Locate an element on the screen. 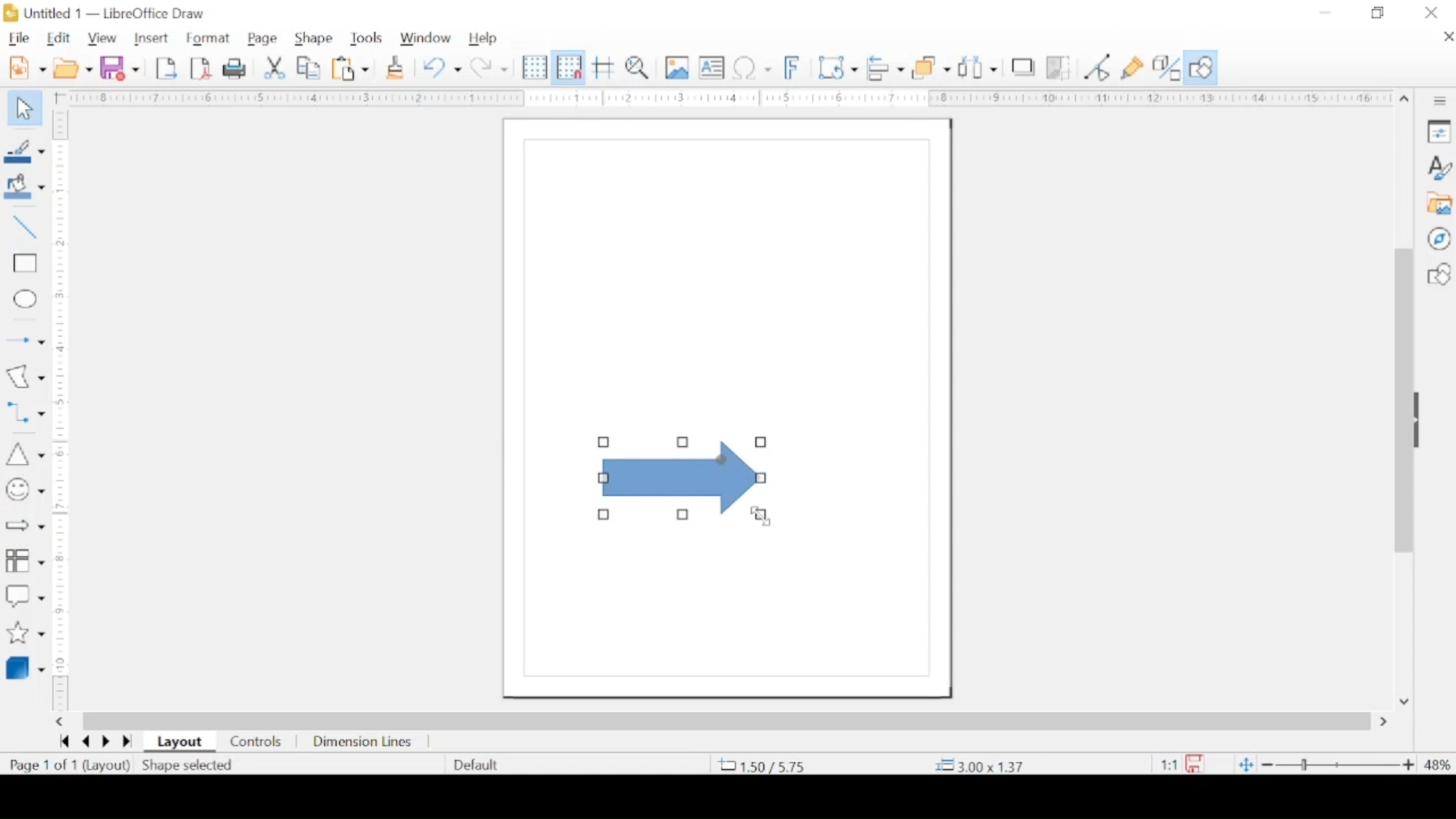 Image resolution: width=1456 pixels, height=819 pixels. styles is located at coordinates (1439, 167).